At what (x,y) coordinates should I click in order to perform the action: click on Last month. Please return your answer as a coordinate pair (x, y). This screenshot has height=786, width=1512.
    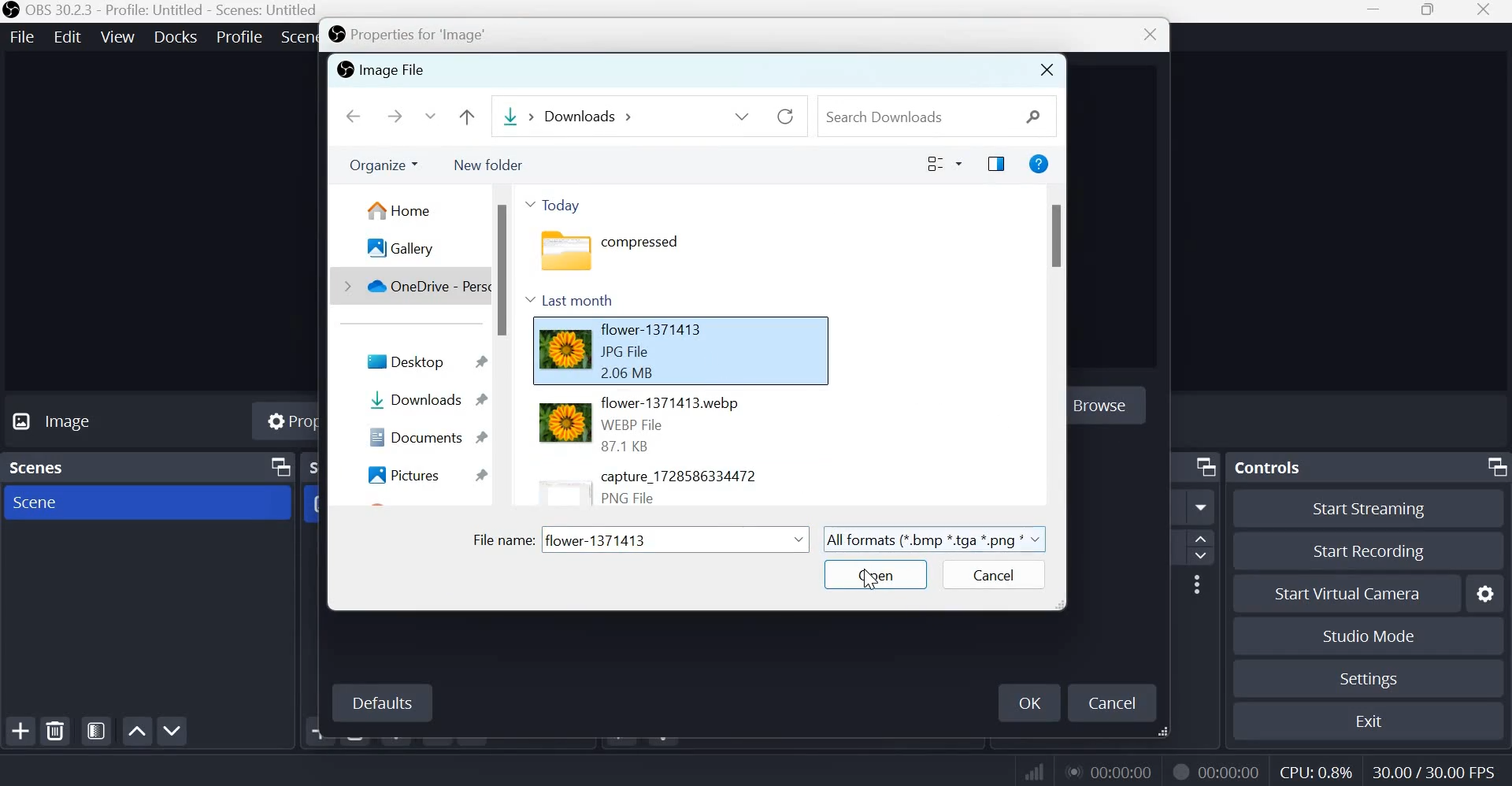
    Looking at the image, I should click on (579, 298).